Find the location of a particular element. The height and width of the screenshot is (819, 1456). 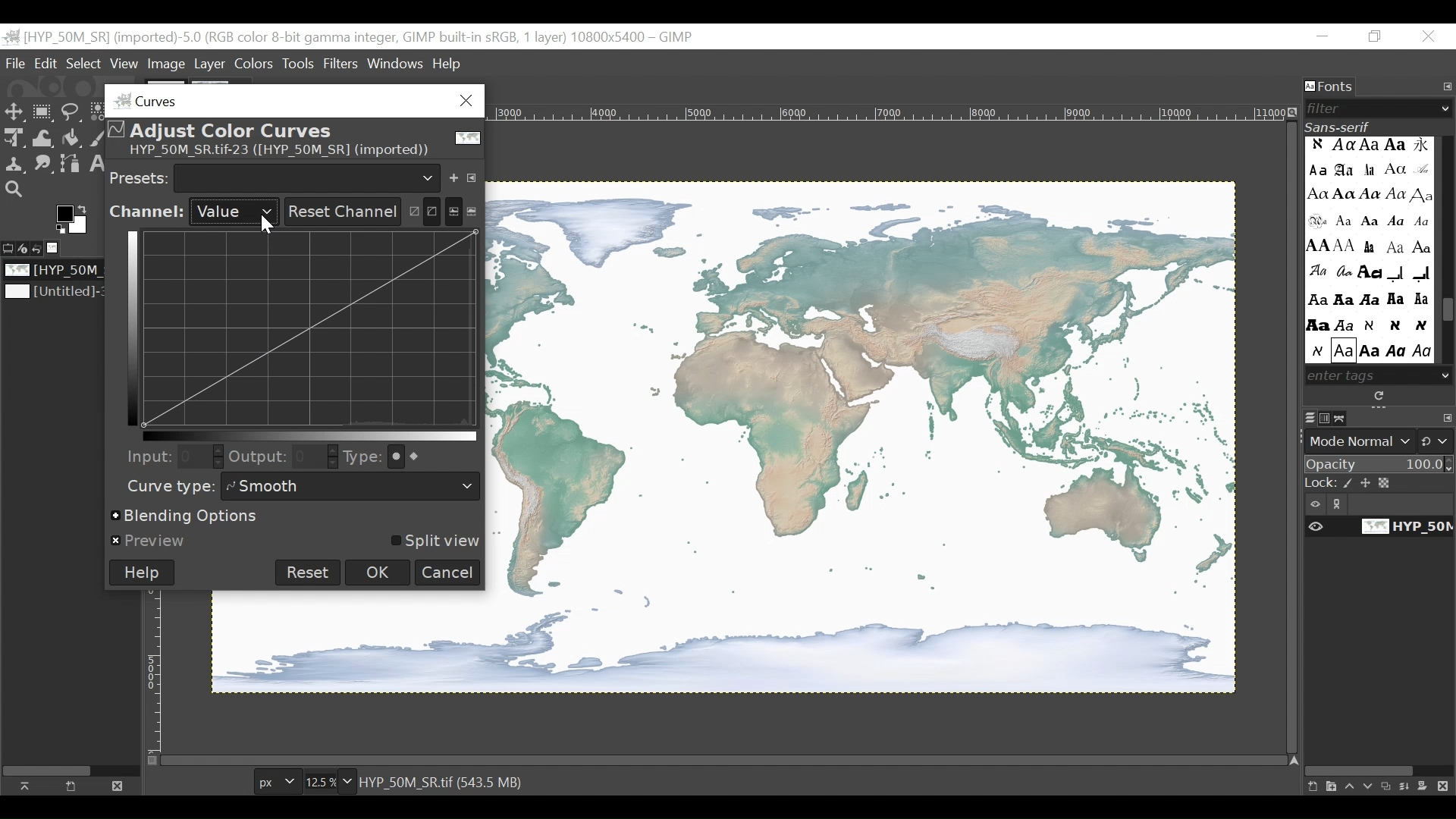

Item visibility is located at coordinates (1379, 504).